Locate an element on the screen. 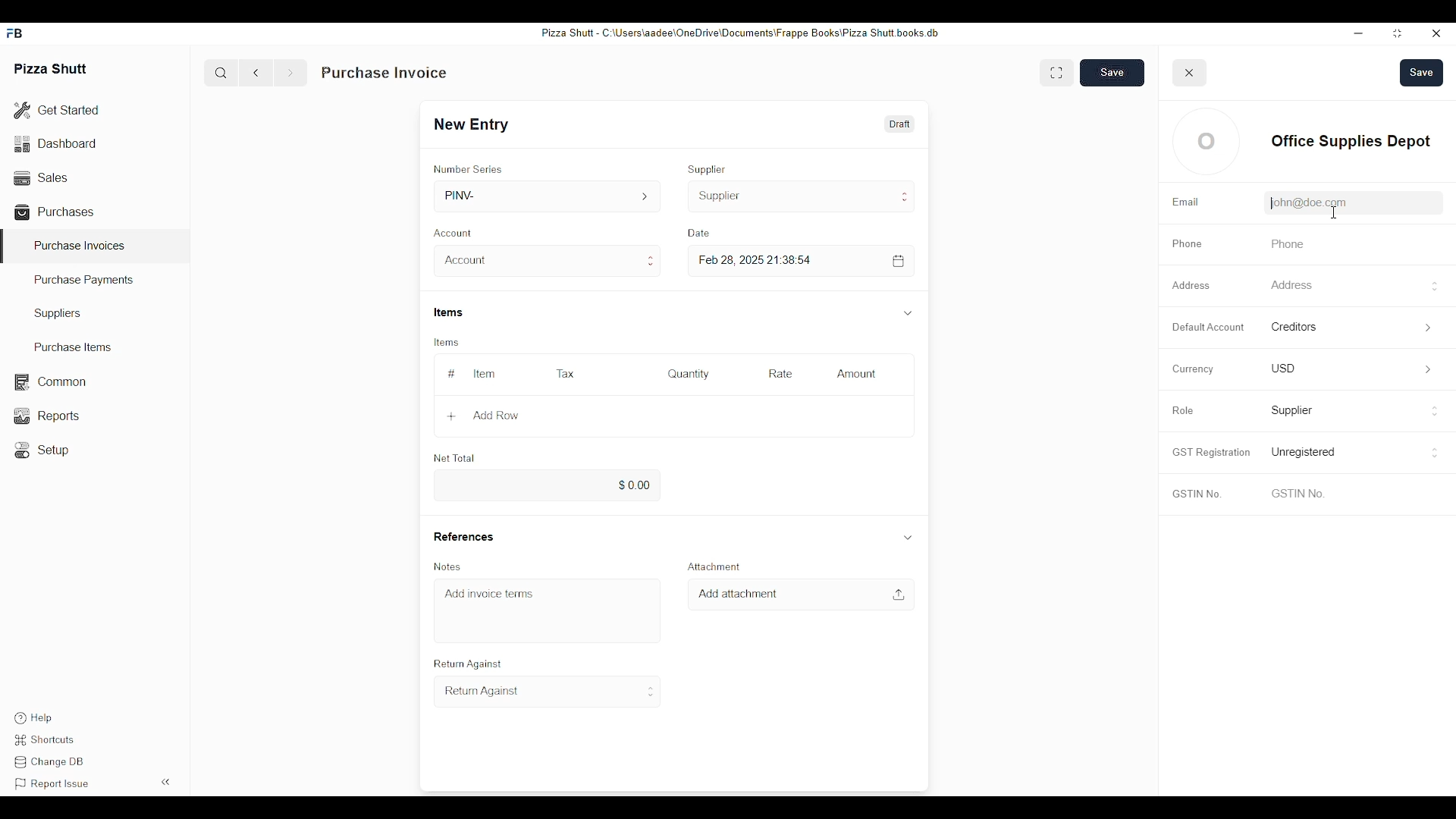 This screenshot has width=1456, height=819. Purchase Invoices is located at coordinates (80, 245).